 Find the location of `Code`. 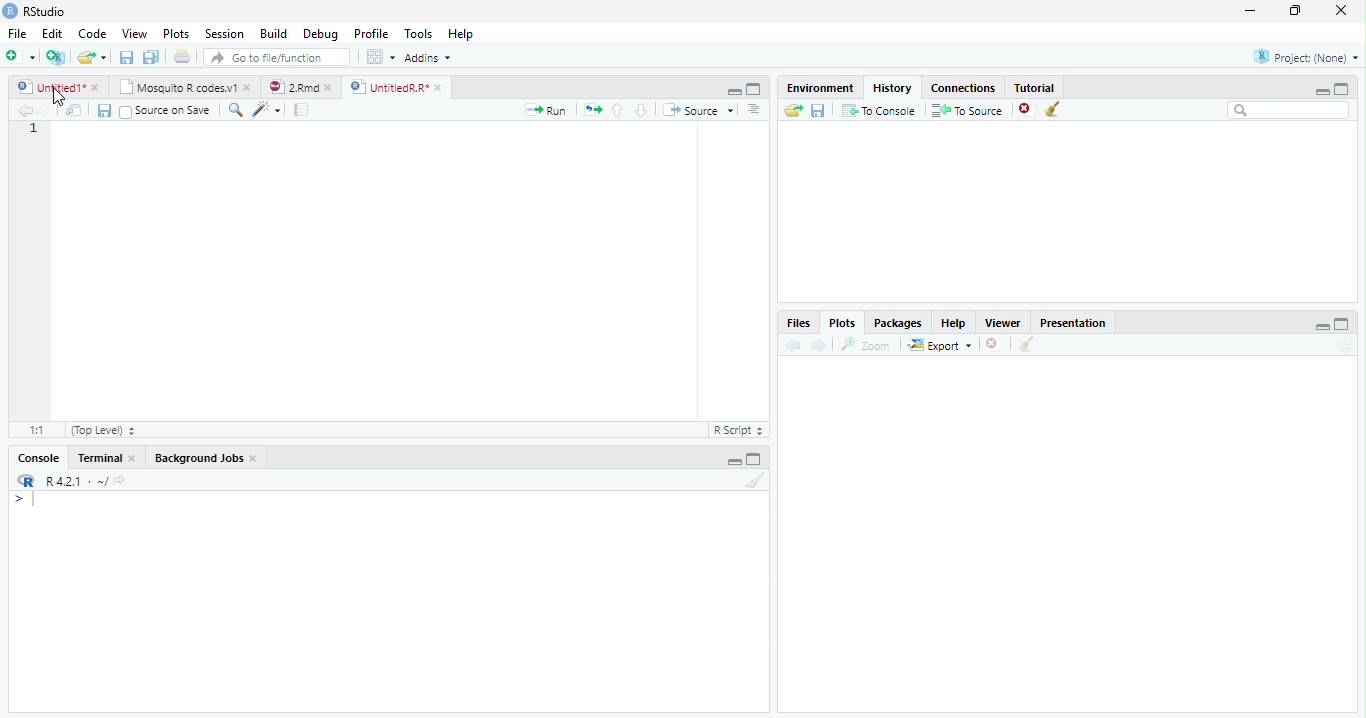

Code is located at coordinates (90, 34).